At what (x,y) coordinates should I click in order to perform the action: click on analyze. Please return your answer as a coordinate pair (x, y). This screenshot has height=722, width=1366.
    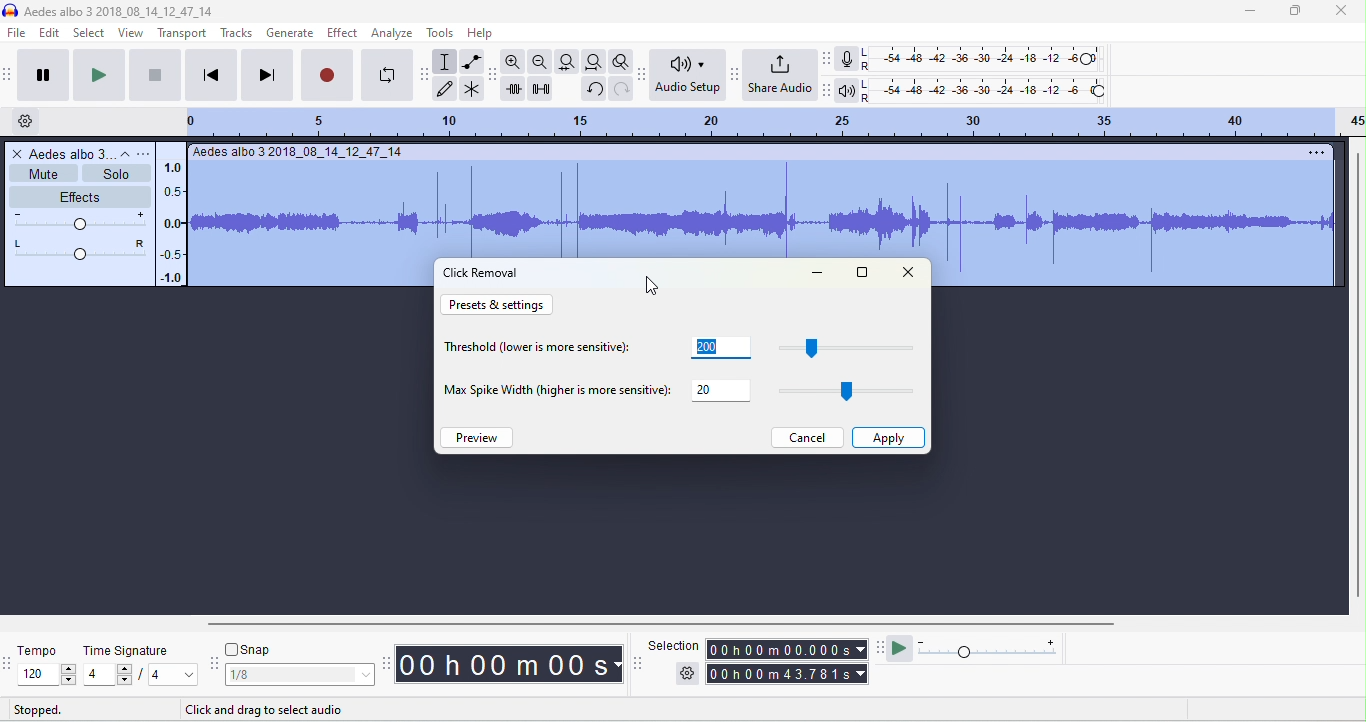
    Looking at the image, I should click on (394, 33).